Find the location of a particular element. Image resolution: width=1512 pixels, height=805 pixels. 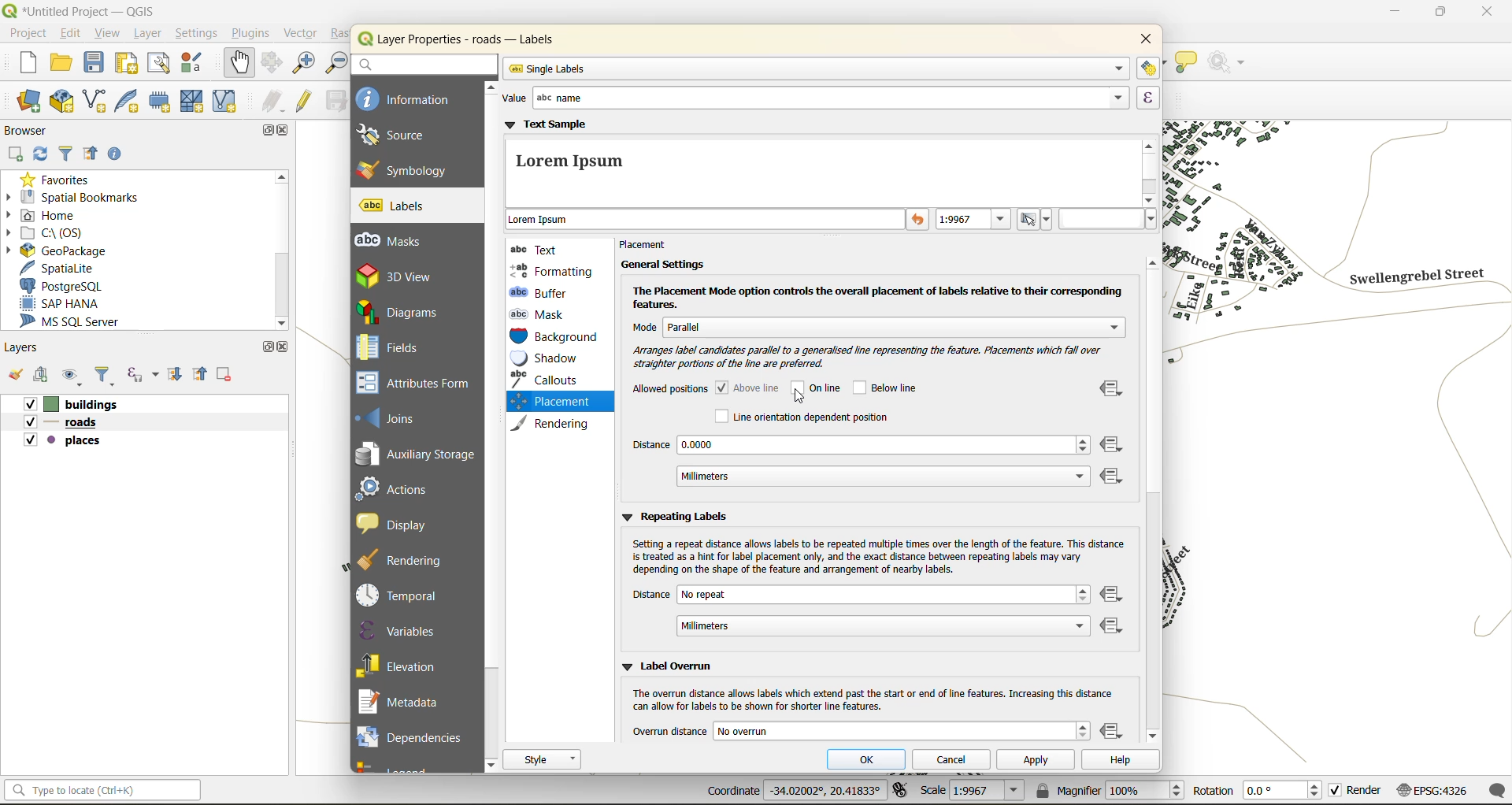

buffer is located at coordinates (543, 292).